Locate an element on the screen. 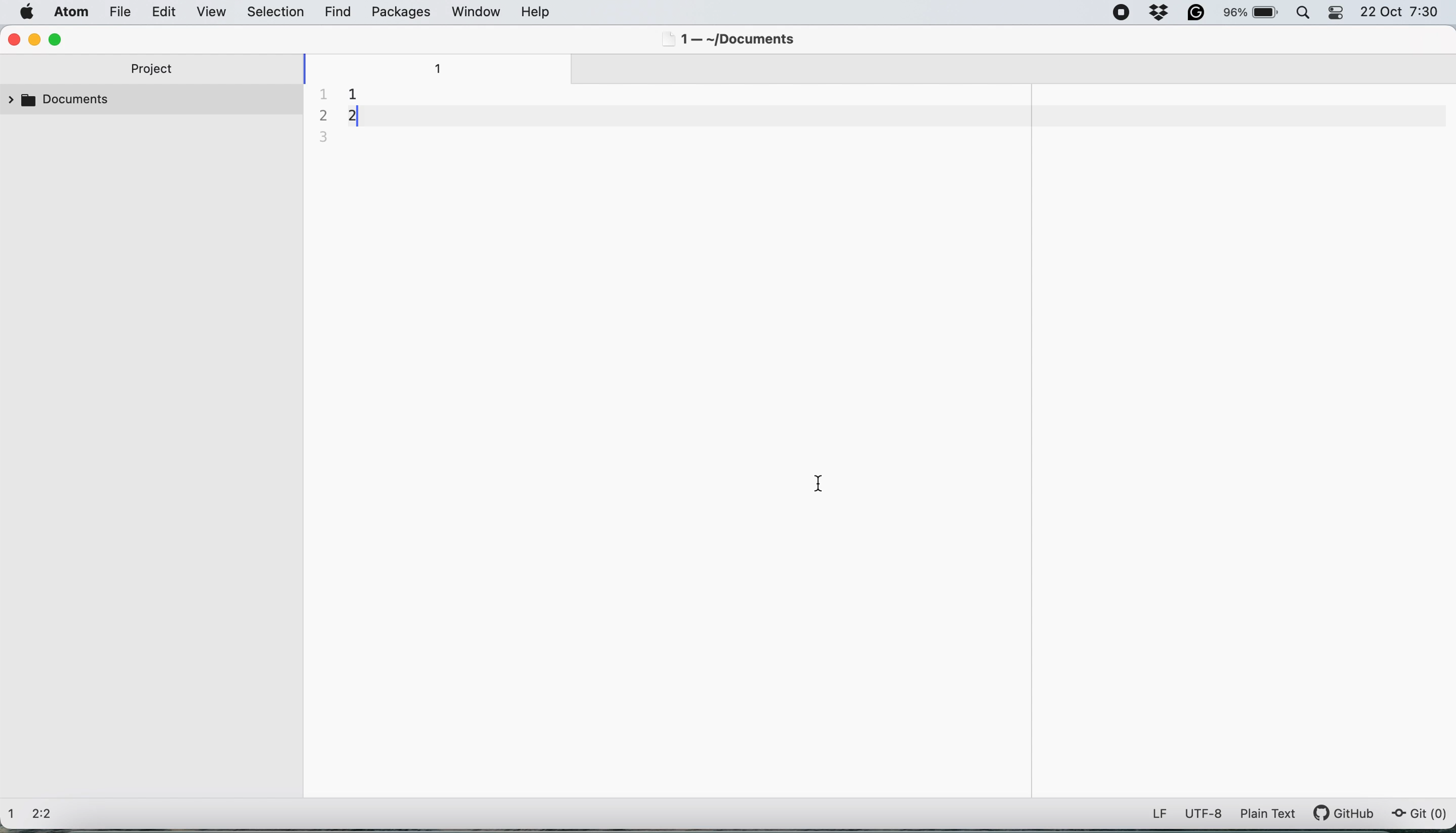  documents is located at coordinates (62, 103).